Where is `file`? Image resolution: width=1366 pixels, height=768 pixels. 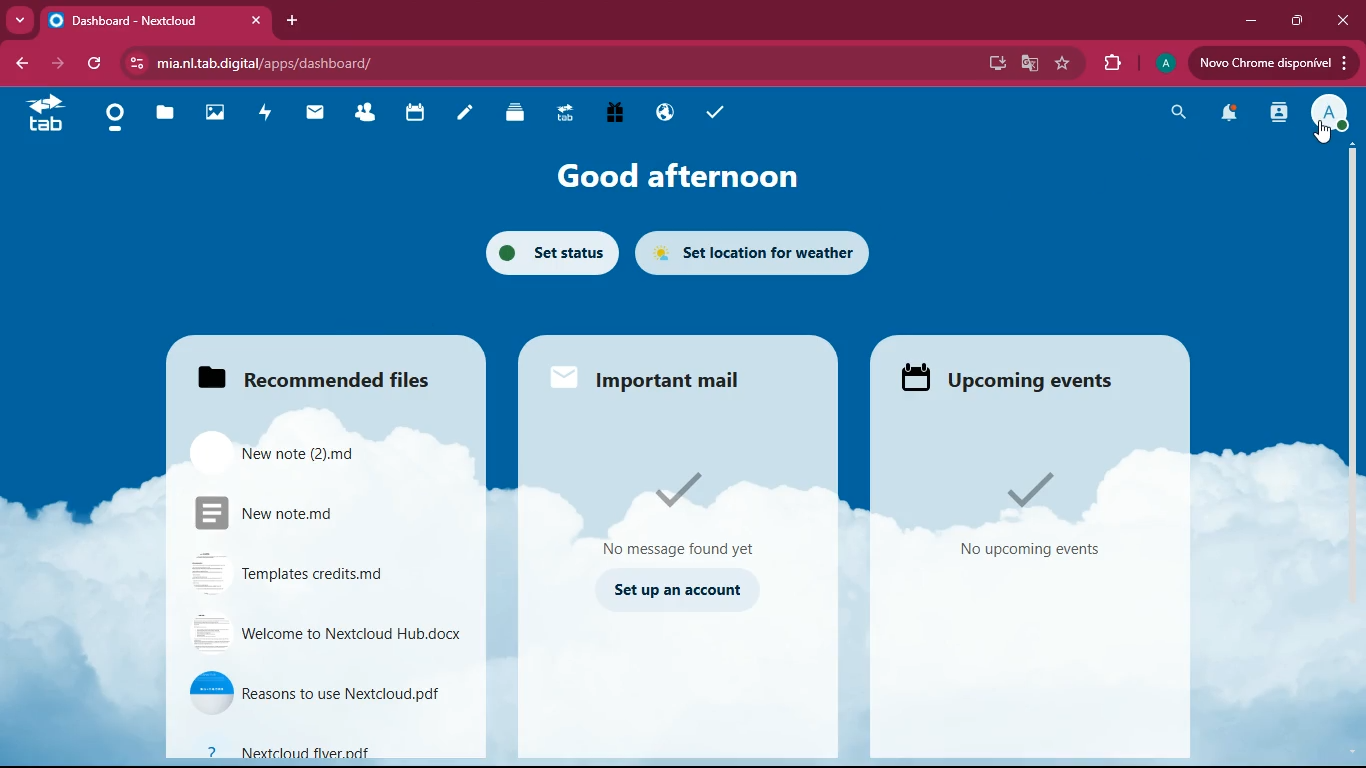
file is located at coordinates (324, 631).